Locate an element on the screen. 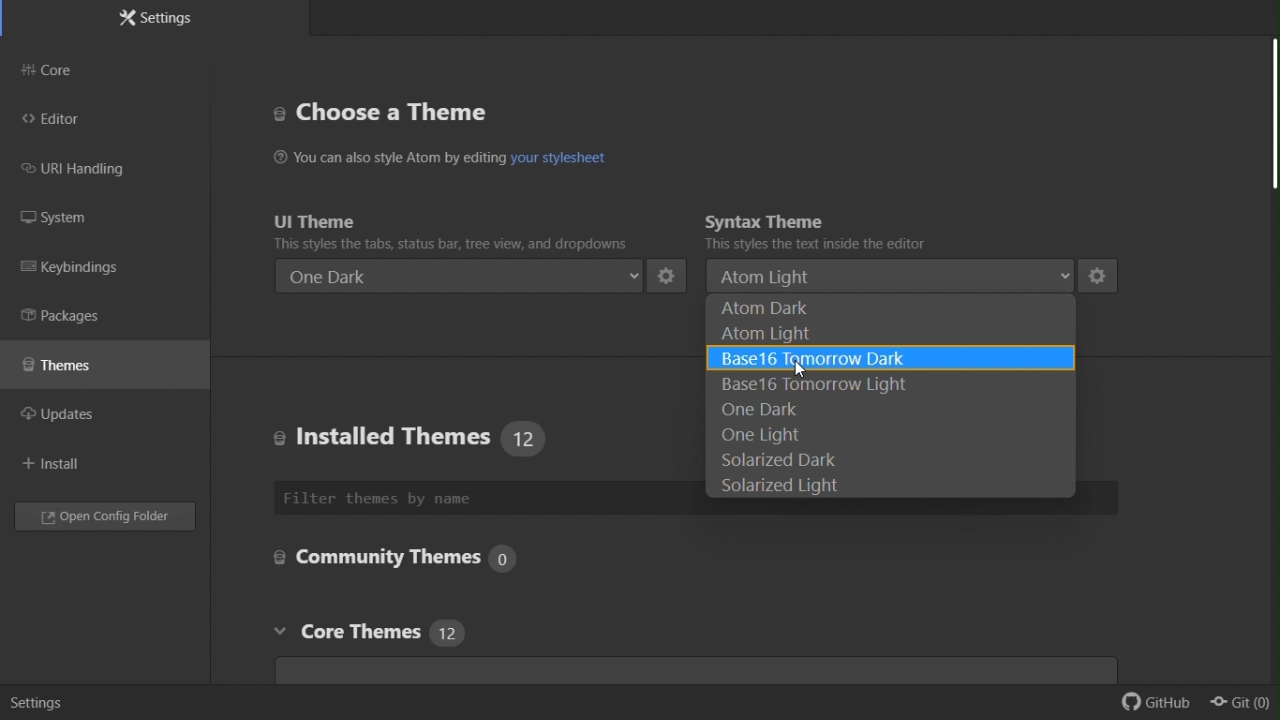 This screenshot has width=1280, height=720. Atom light is located at coordinates (894, 332).